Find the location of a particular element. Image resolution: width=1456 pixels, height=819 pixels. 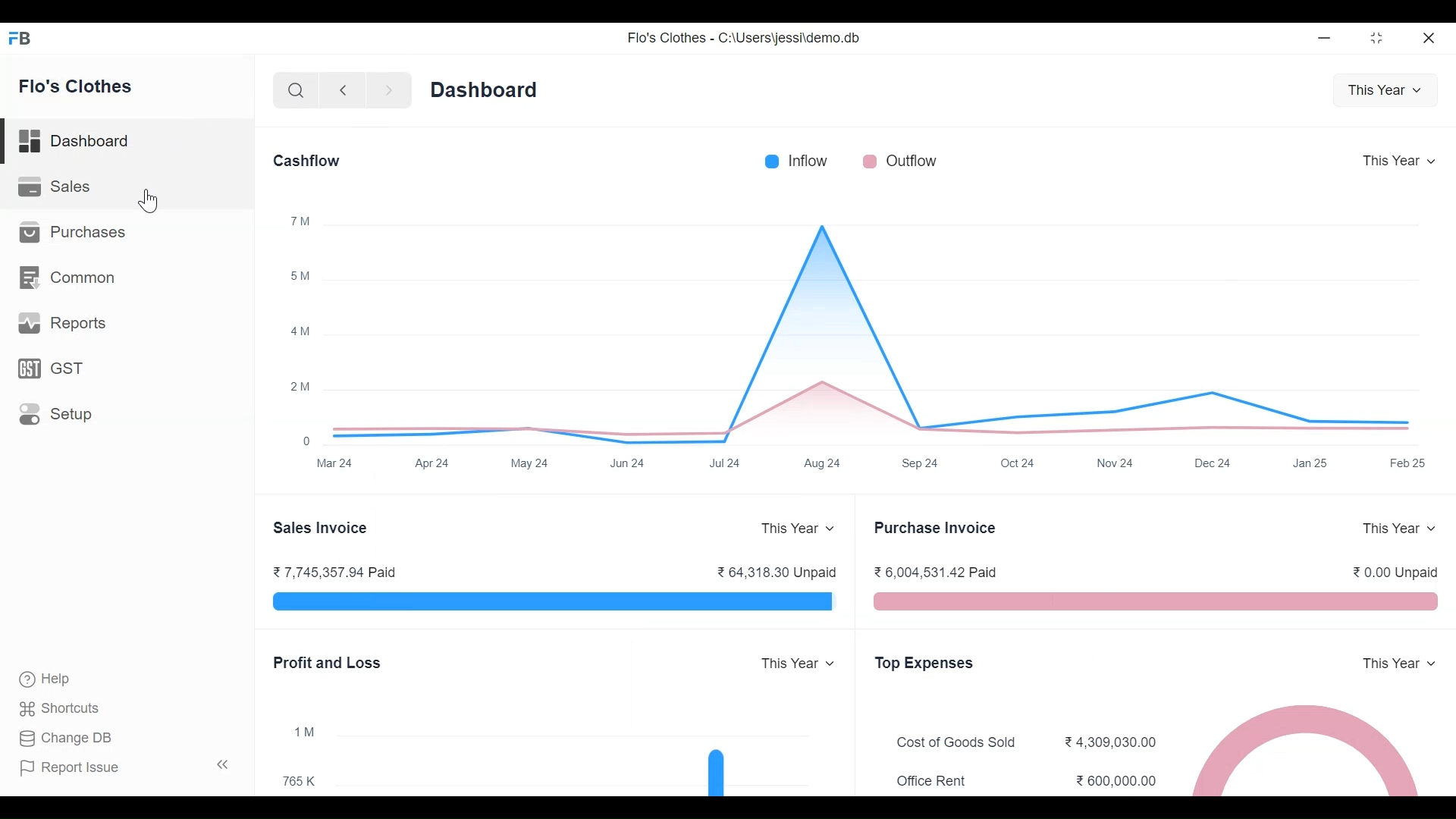

Close is located at coordinates (1426, 37).